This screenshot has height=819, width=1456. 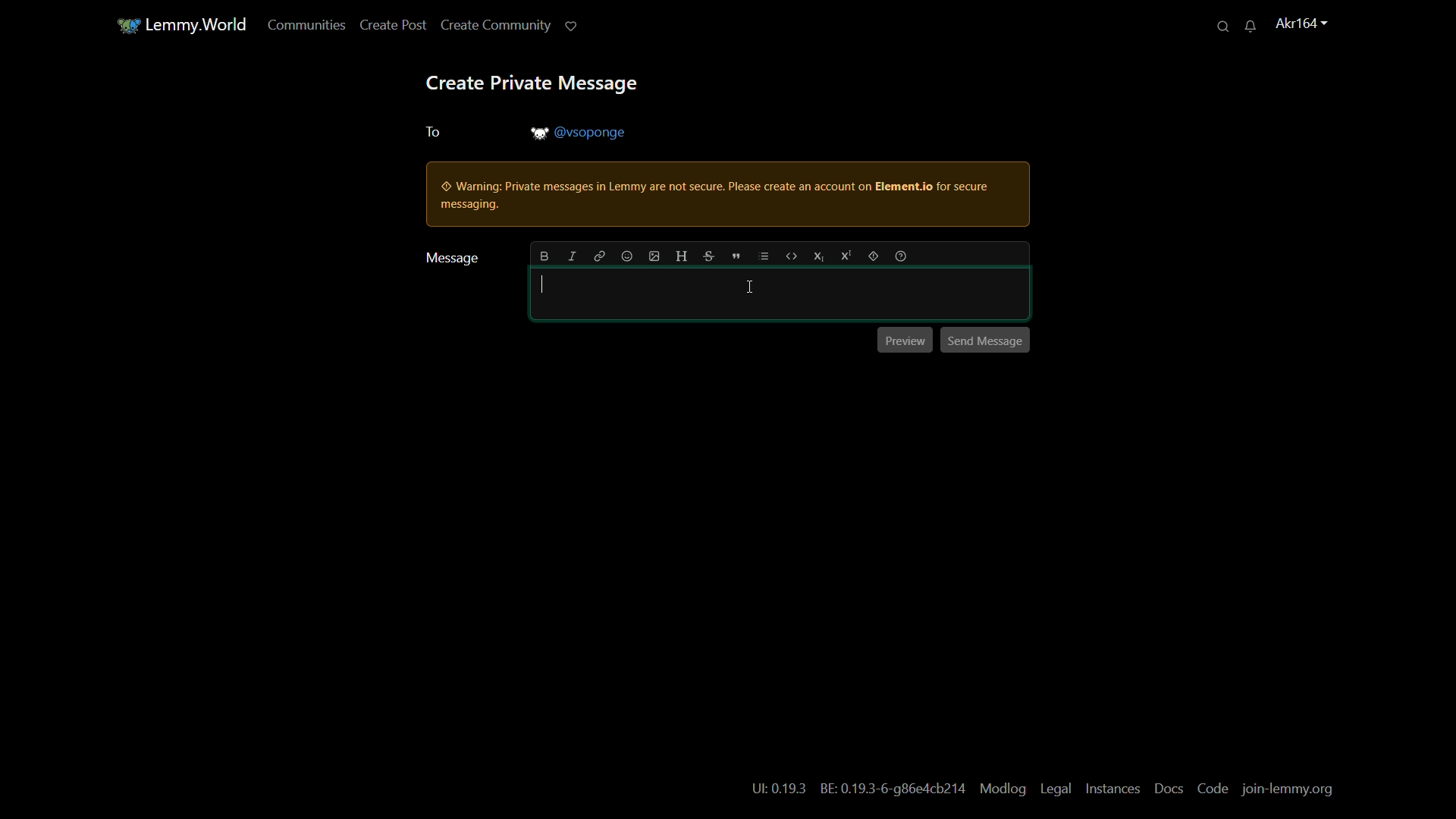 What do you see at coordinates (626, 256) in the screenshot?
I see `add emoji` at bounding box center [626, 256].